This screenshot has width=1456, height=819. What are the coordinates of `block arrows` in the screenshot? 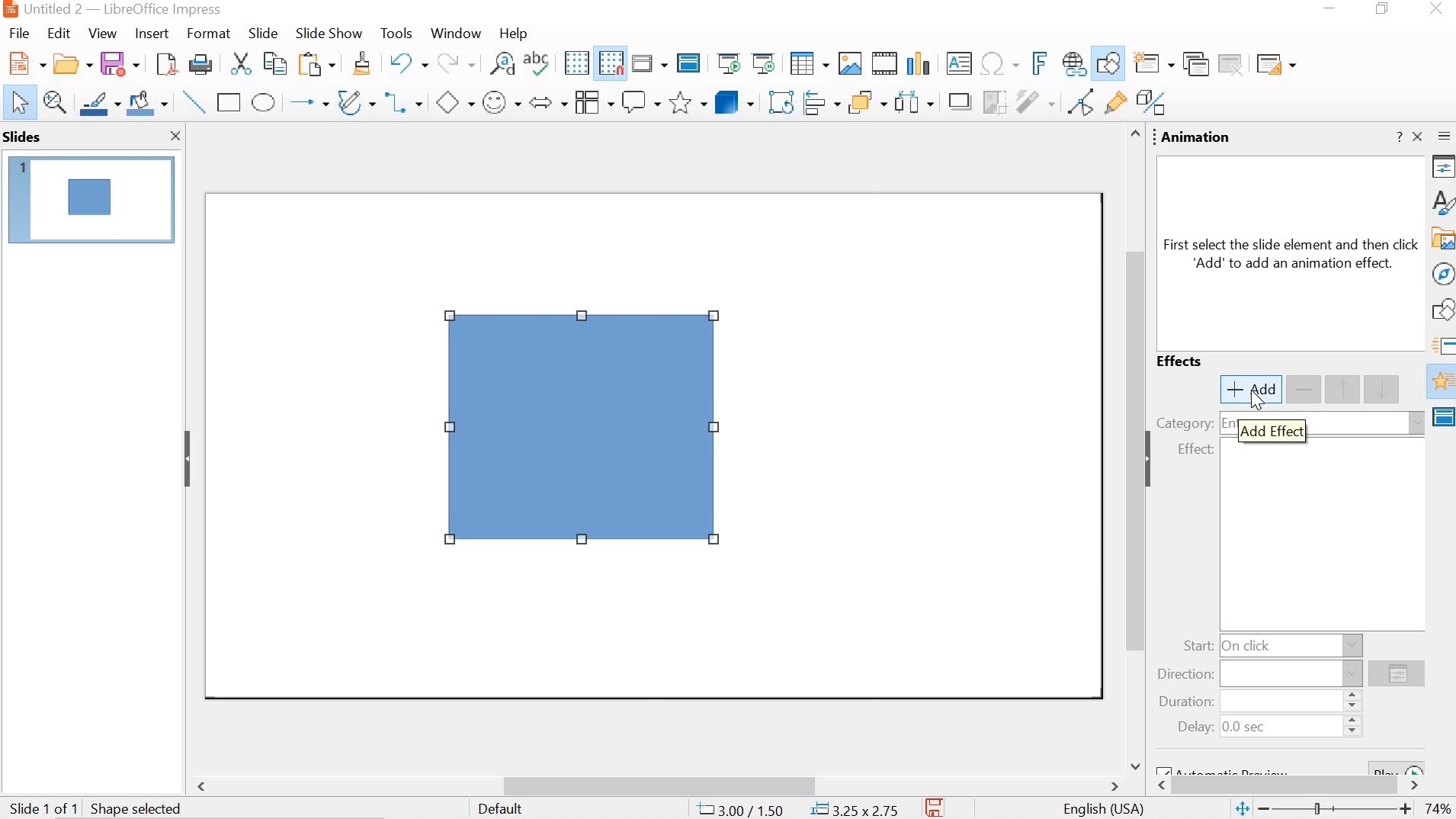 It's located at (549, 101).